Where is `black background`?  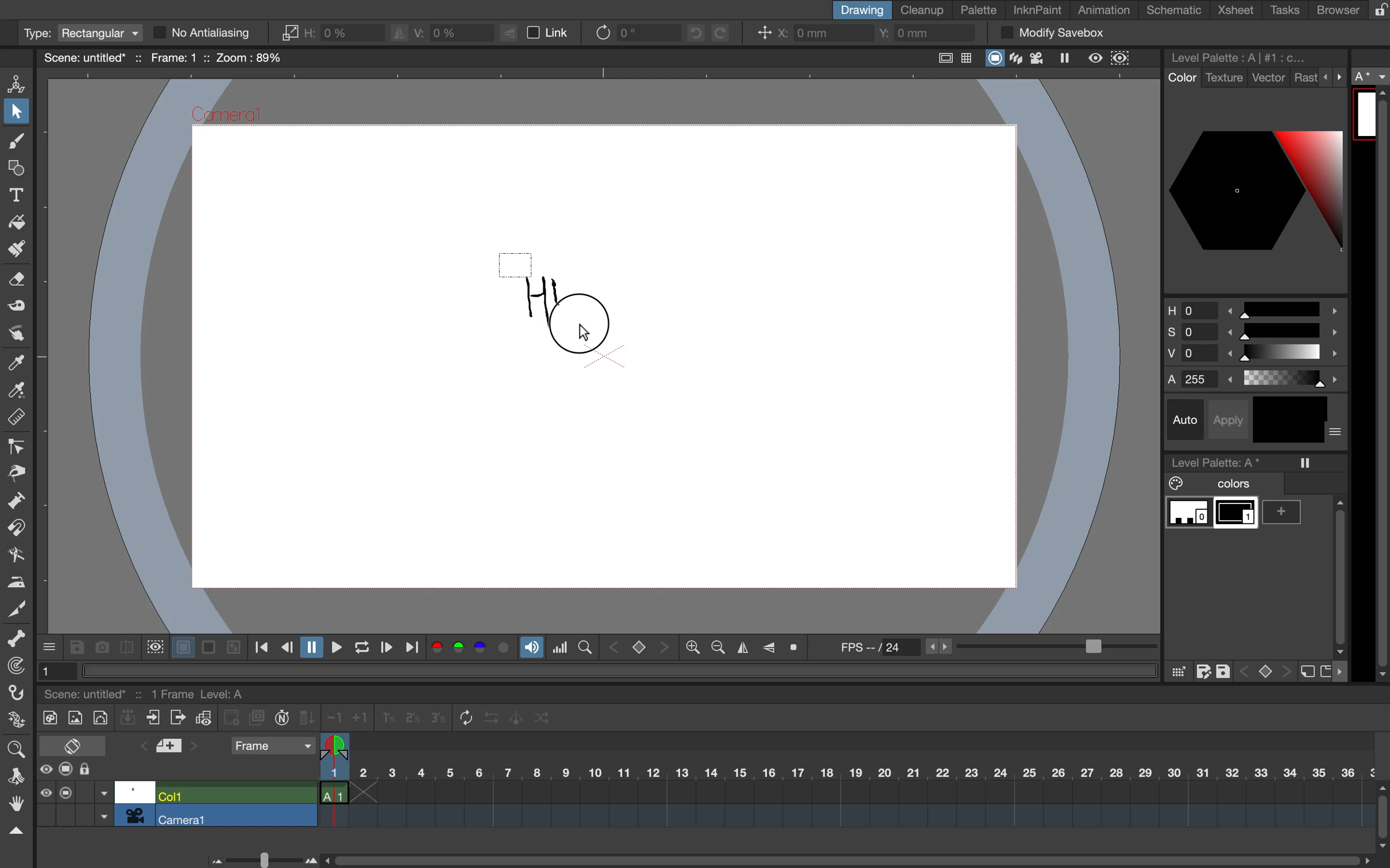
black background is located at coordinates (208, 648).